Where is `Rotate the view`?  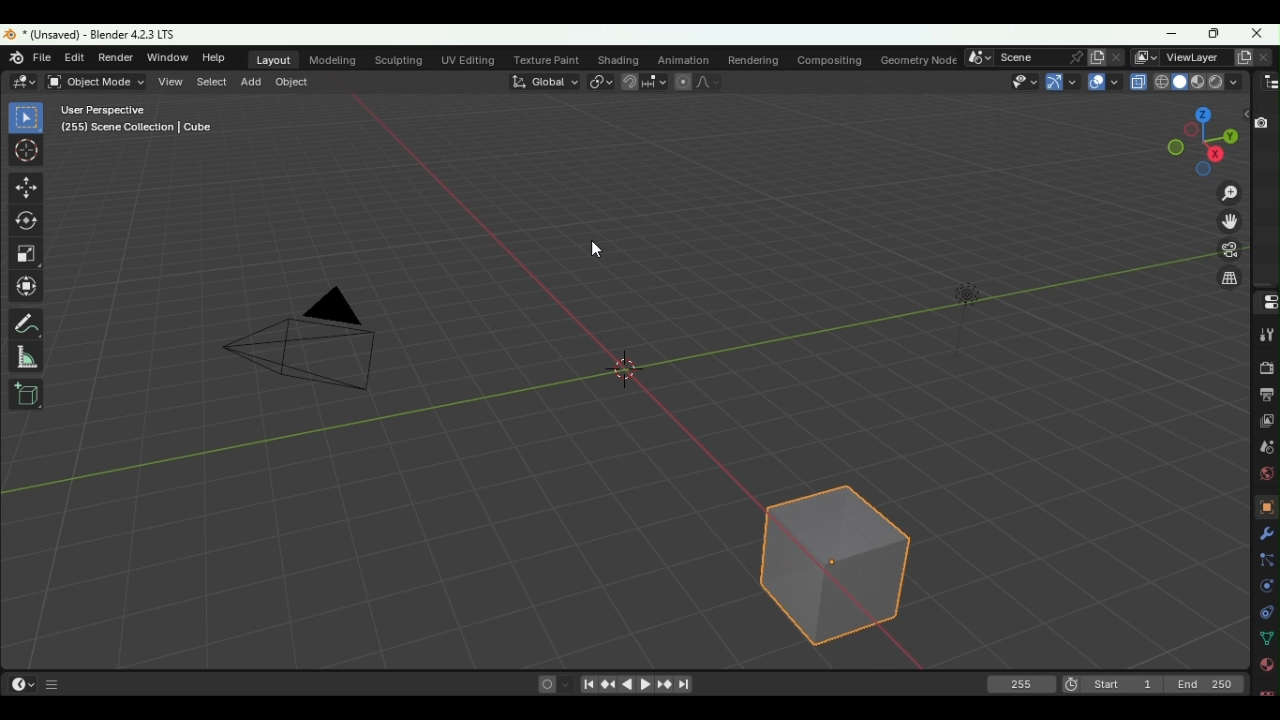
Rotate the view is located at coordinates (1200, 171).